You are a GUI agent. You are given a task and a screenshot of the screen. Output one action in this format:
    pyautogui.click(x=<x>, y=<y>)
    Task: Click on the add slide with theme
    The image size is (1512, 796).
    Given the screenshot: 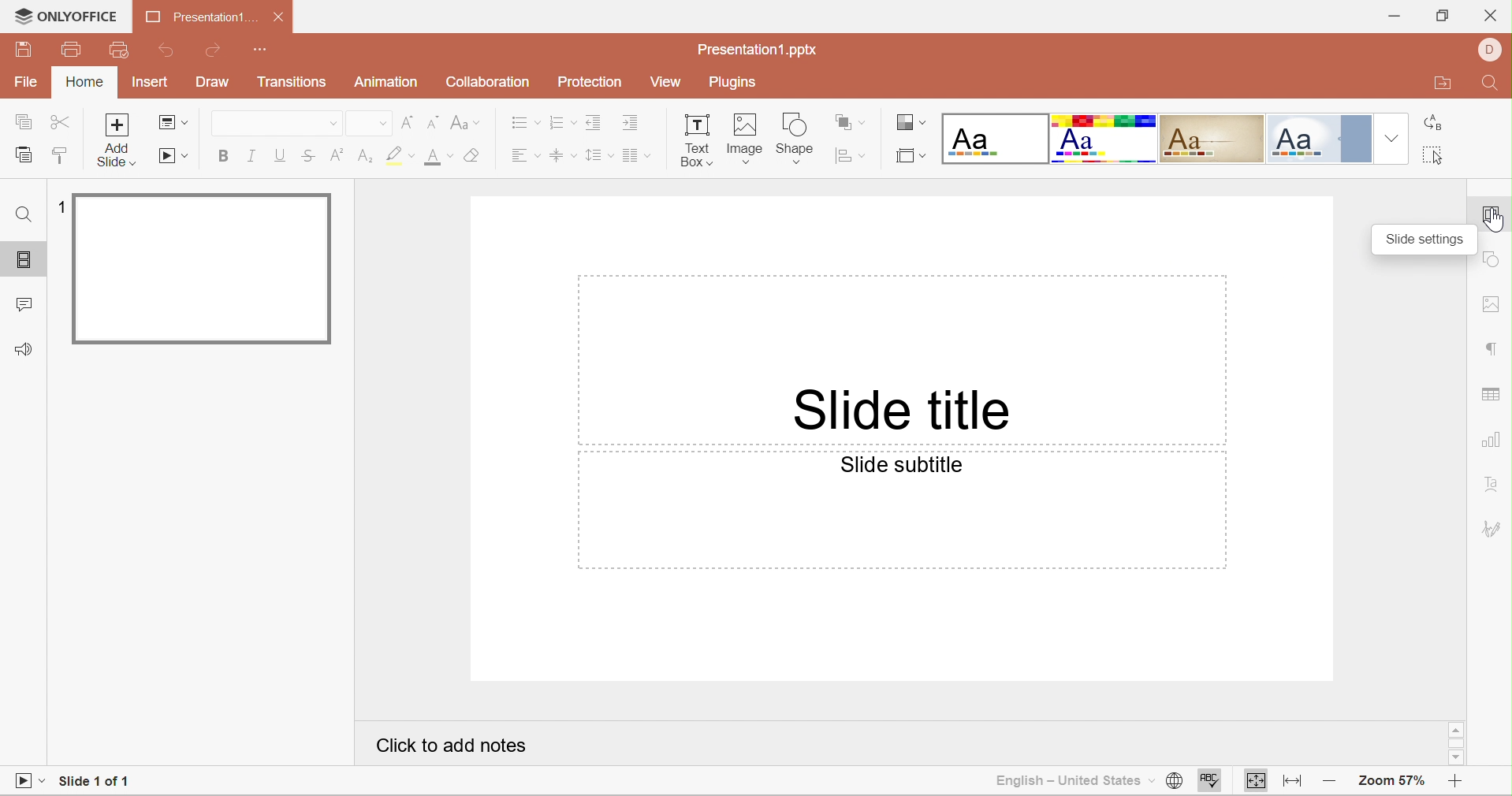 What is the action you would take?
    pyautogui.click(x=117, y=154)
    